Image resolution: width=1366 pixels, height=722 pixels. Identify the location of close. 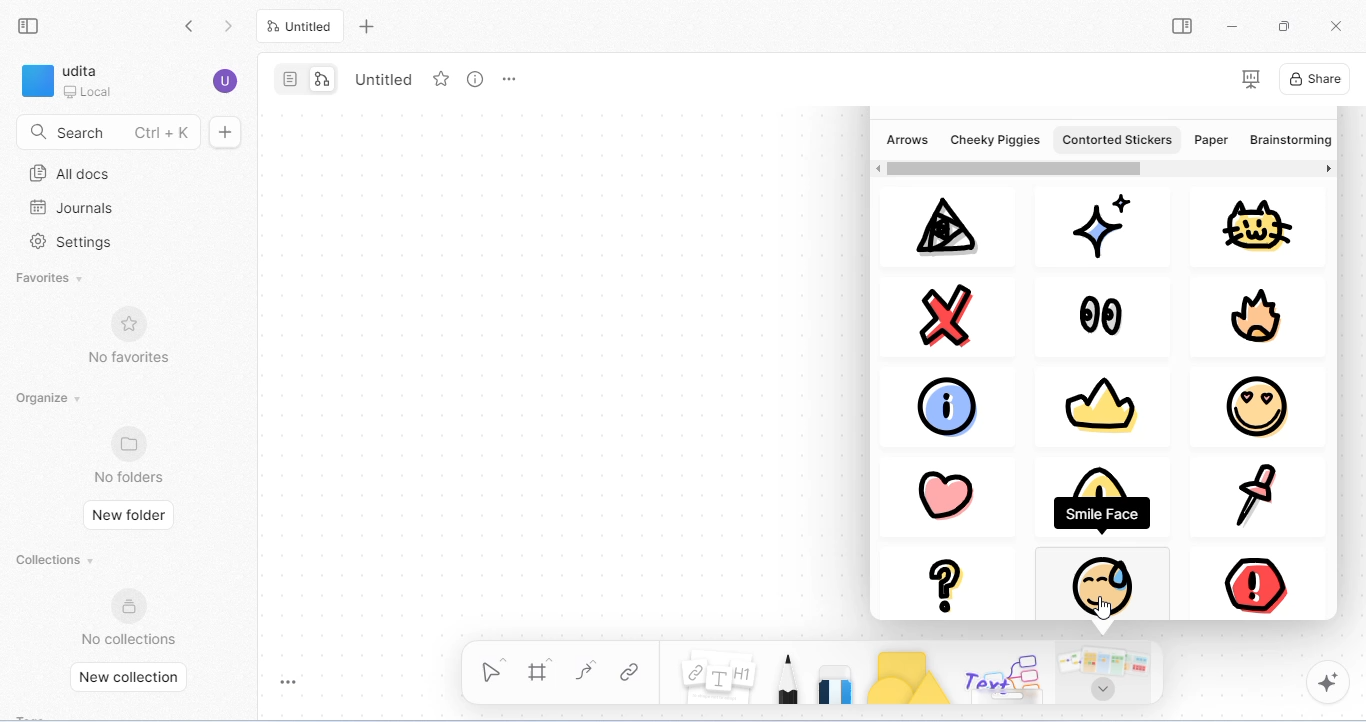
(954, 314).